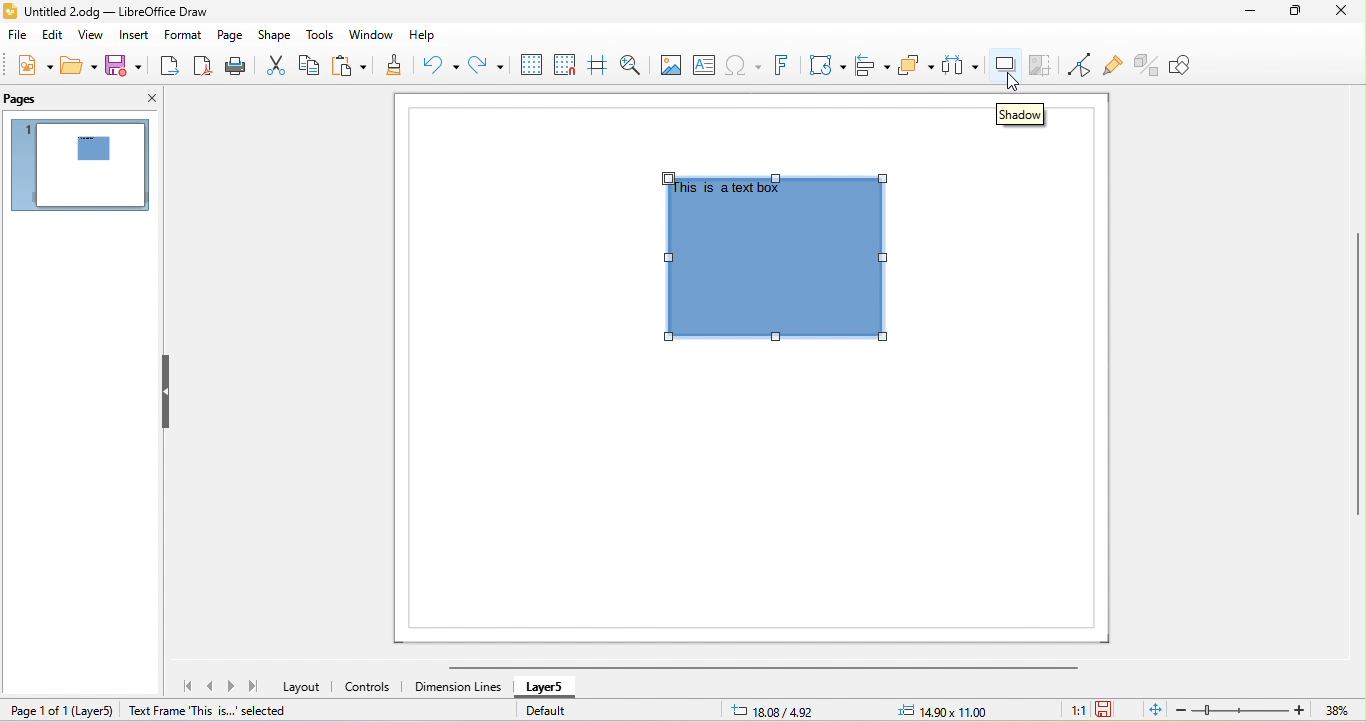 The width and height of the screenshot is (1366, 722). What do you see at coordinates (304, 686) in the screenshot?
I see `layout` at bounding box center [304, 686].